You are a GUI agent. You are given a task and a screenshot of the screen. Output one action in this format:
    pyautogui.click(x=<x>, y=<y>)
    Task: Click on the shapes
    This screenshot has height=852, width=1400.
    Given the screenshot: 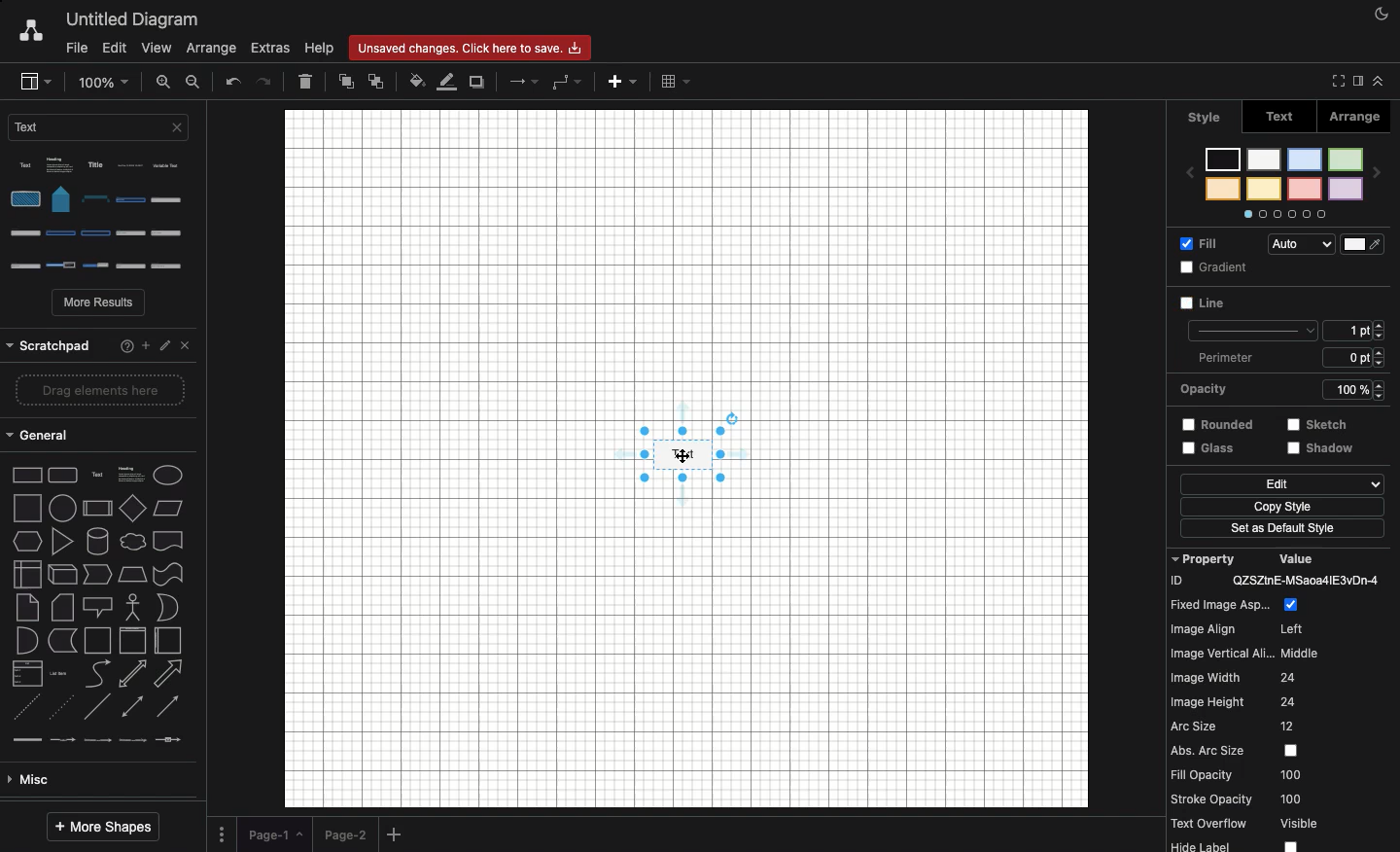 What is the action you would take?
    pyautogui.click(x=104, y=470)
    